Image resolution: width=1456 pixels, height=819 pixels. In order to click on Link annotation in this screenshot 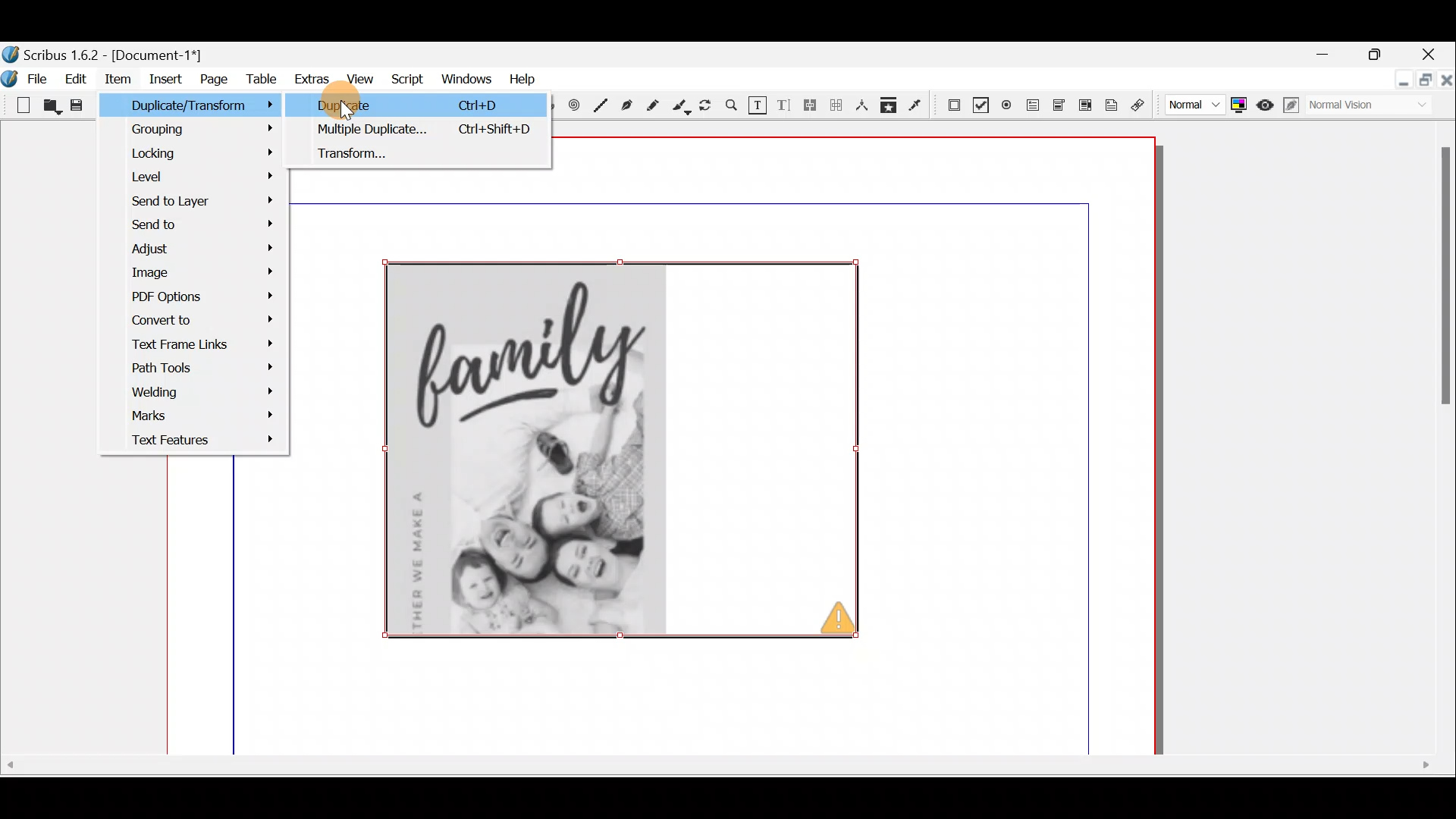, I will do `click(1141, 105)`.